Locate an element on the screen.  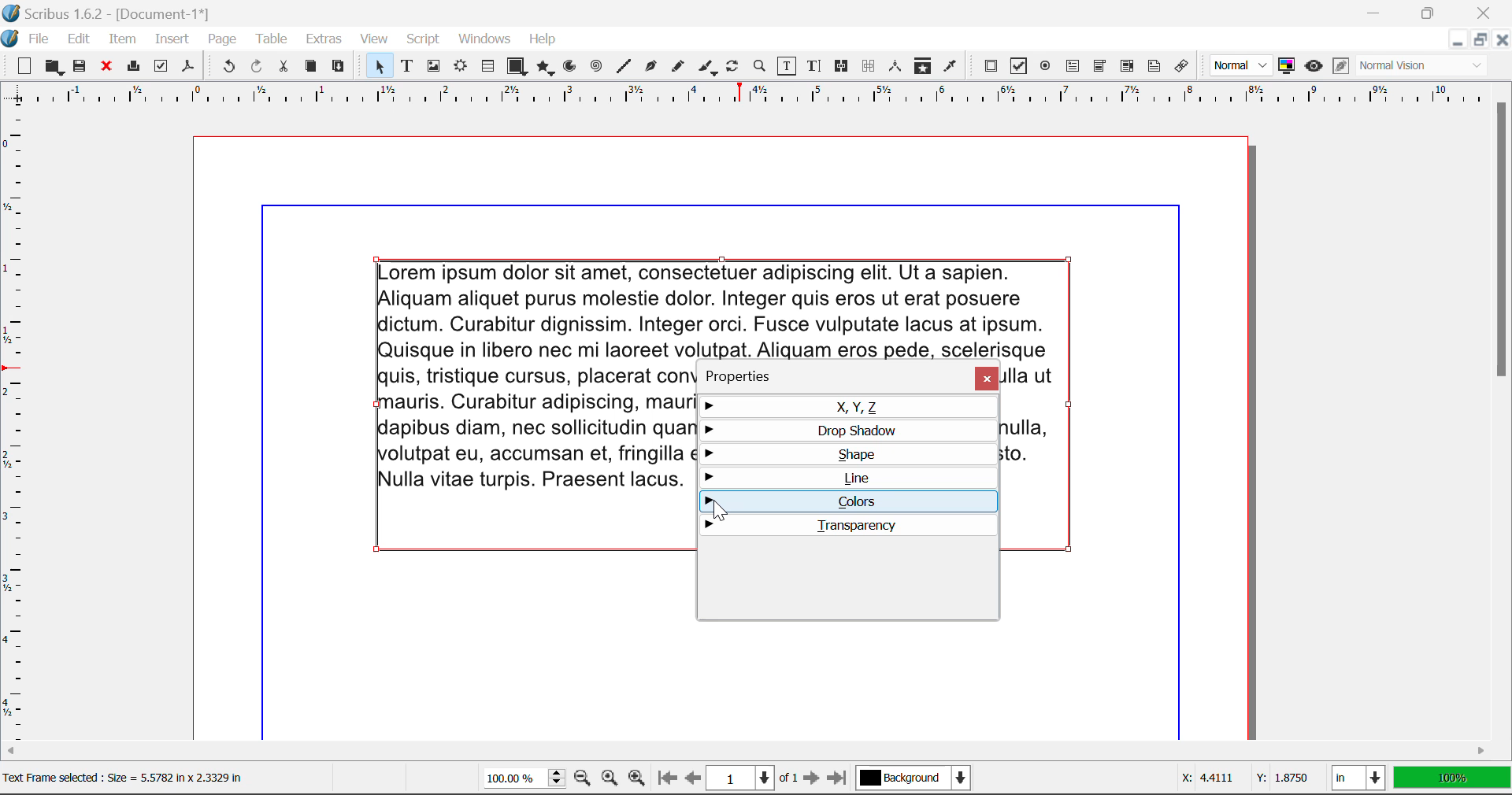
Zoom to 100% is located at coordinates (610, 780).